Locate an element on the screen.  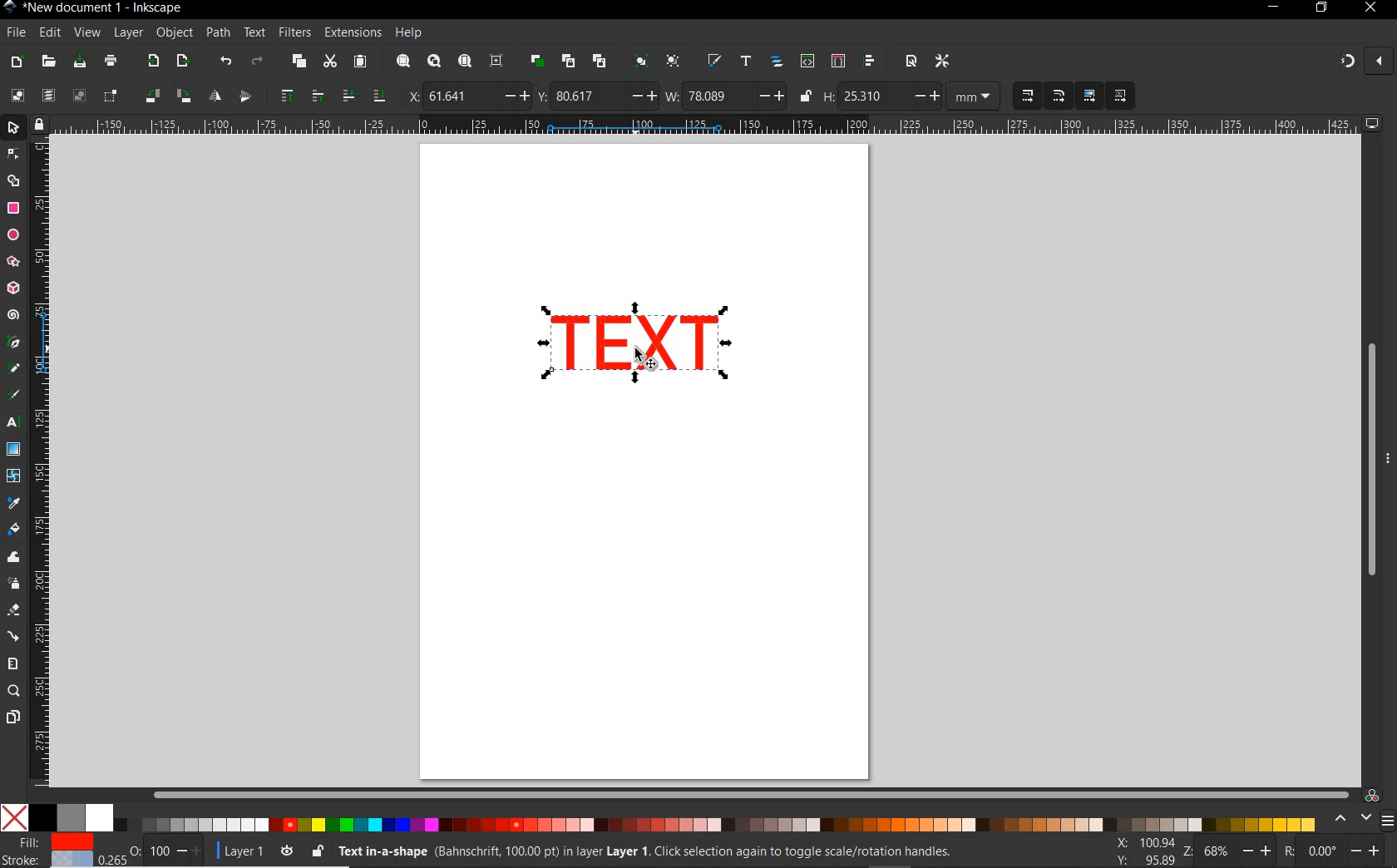
tweak tool is located at coordinates (13, 558).